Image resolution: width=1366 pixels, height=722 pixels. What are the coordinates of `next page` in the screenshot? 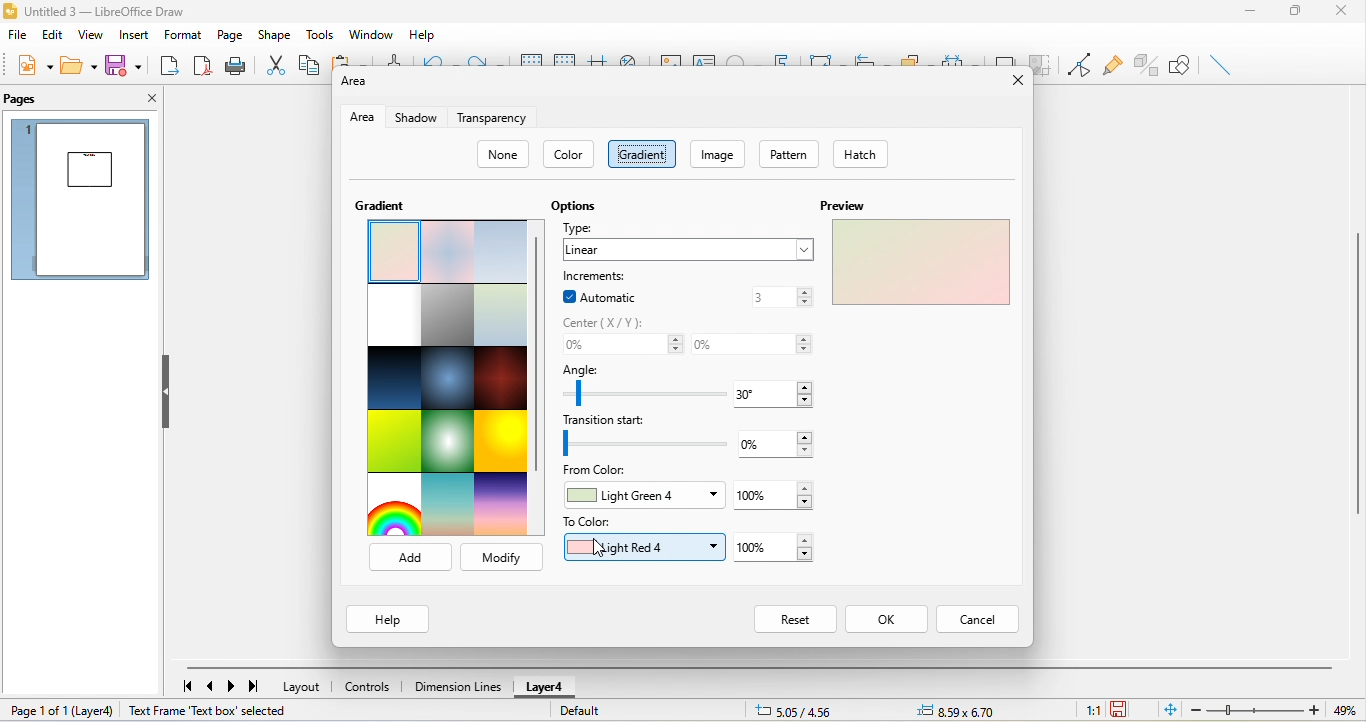 It's located at (234, 688).